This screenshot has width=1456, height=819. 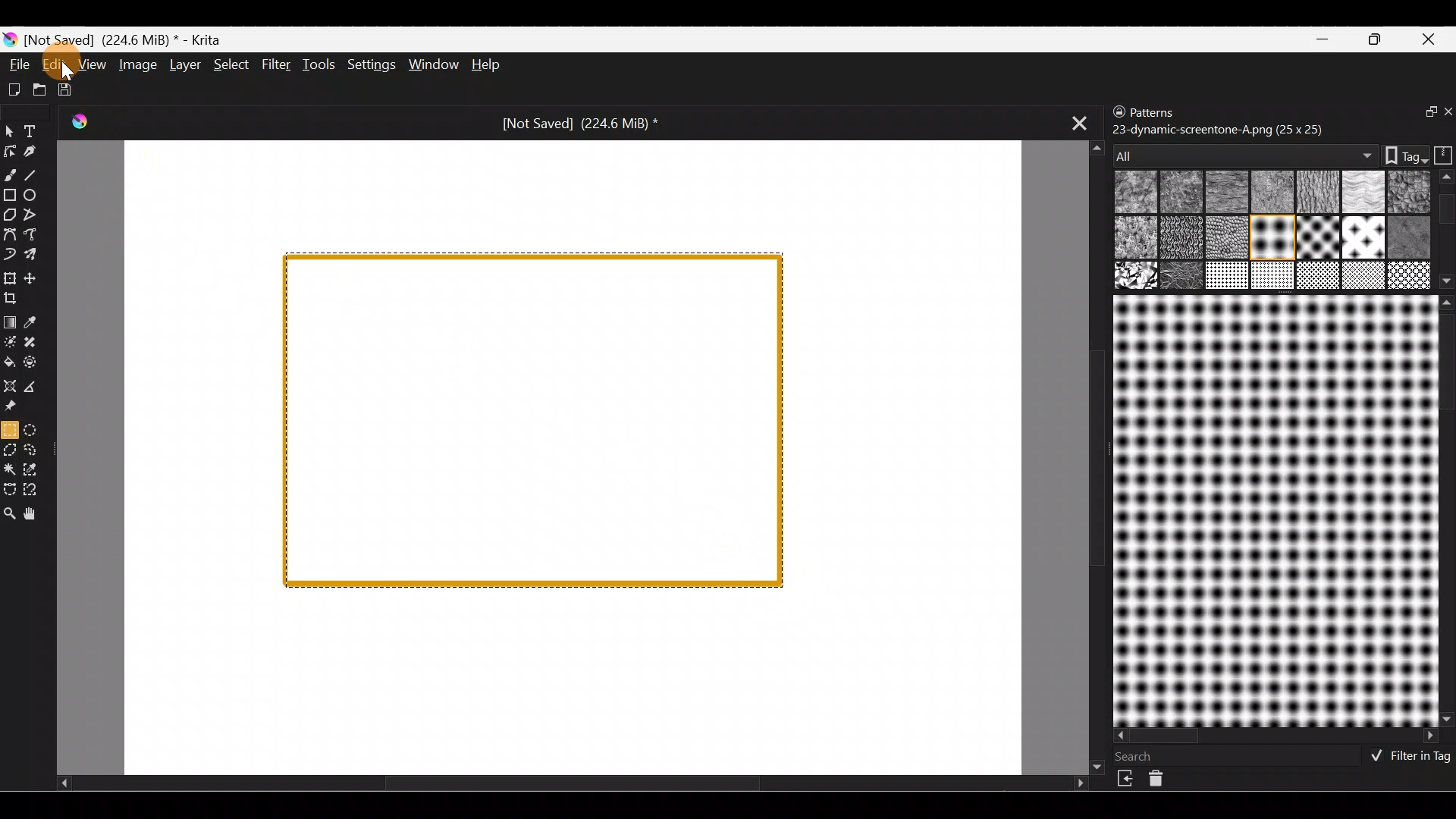 What do you see at coordinates (1225, 237) in the screenshot?
I see `09b drawed_crossedlines.png` at bounding box center [1225, 237].